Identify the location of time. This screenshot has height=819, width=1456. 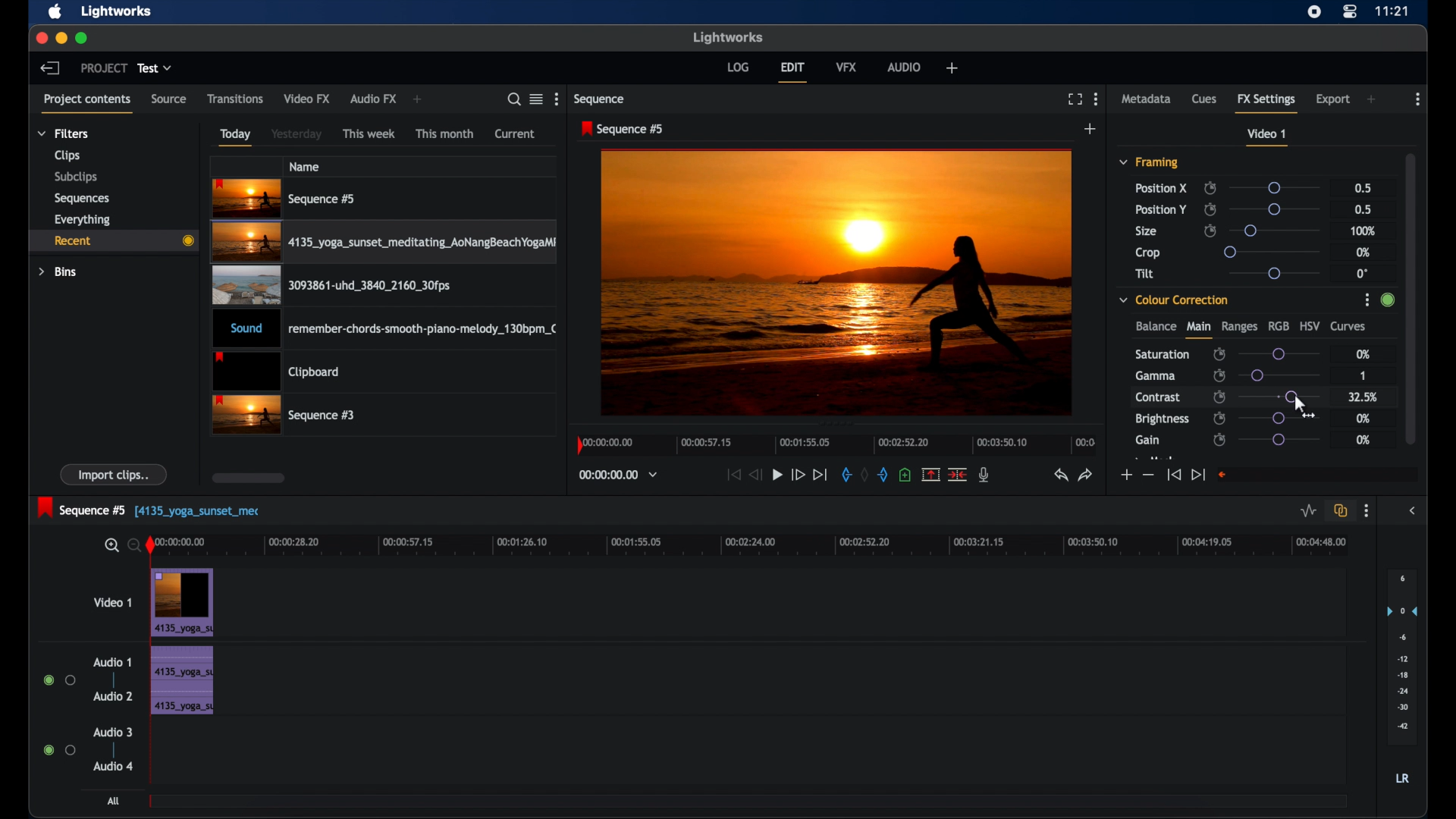
(1392, 11).